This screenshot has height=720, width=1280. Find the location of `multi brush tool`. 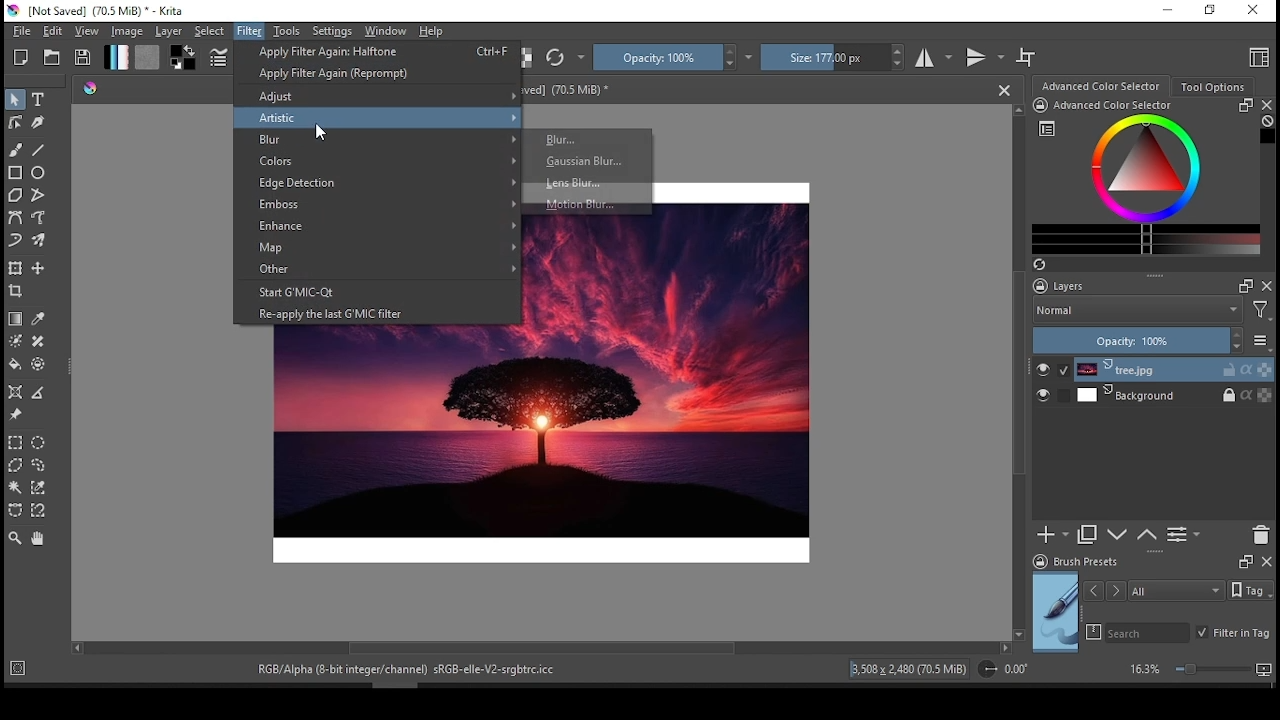

multi brush tool is located at coordinates (40, 240).